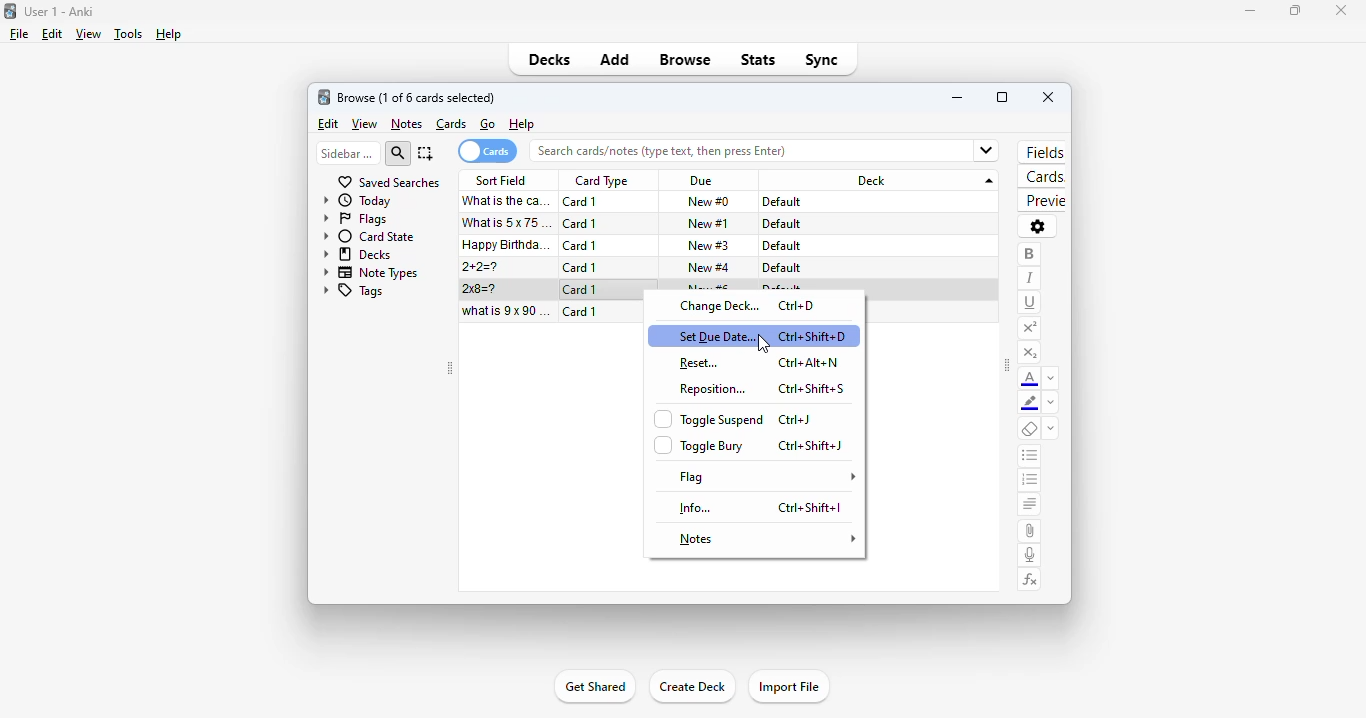 This screenshot has height=718, width=1366. What do you see at coordinates (1048, 97) in the screenshot?
I see `close` at bounding box center [1048, 97].